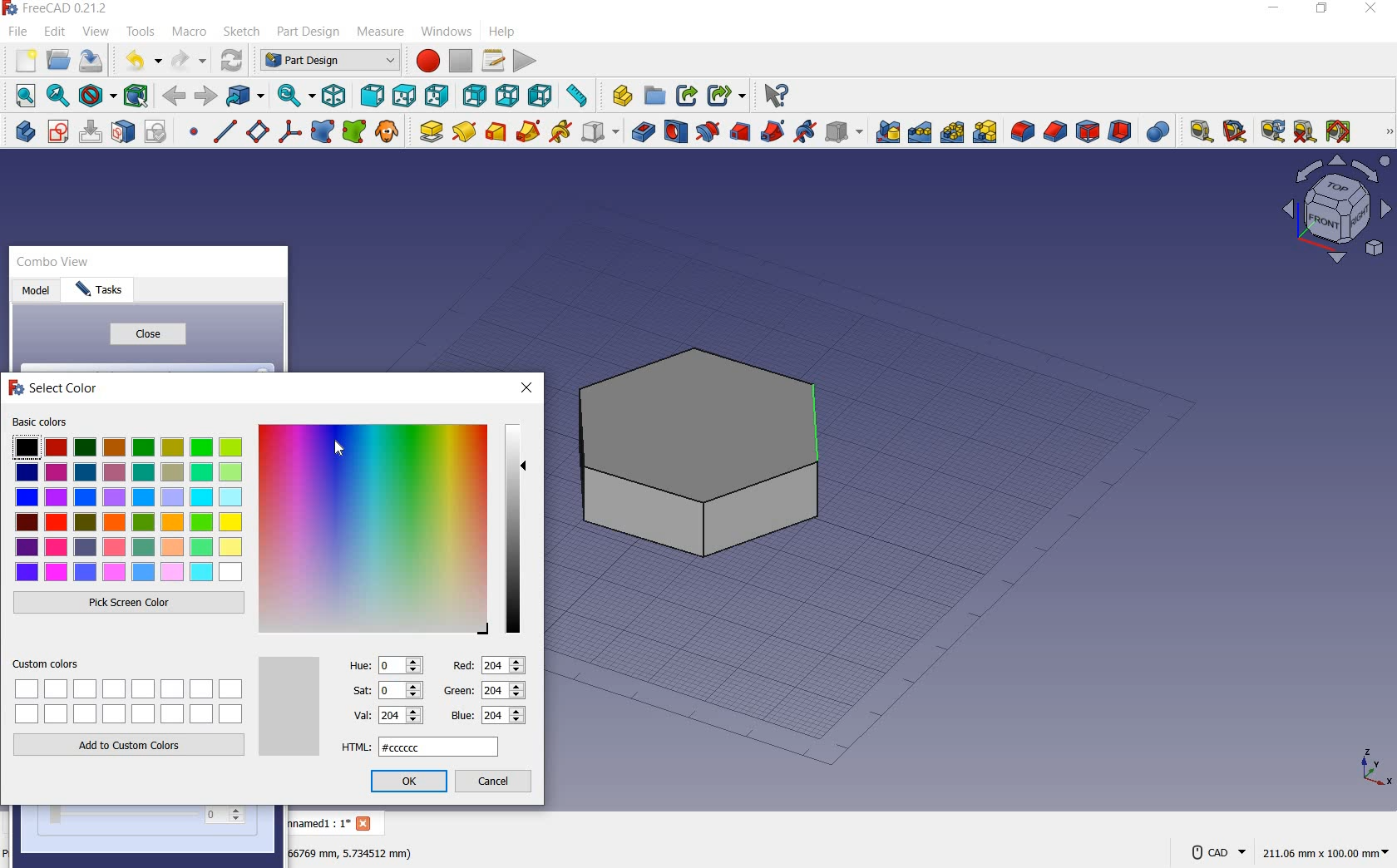  I want to click on create an additive primitive, so click(600, 131).